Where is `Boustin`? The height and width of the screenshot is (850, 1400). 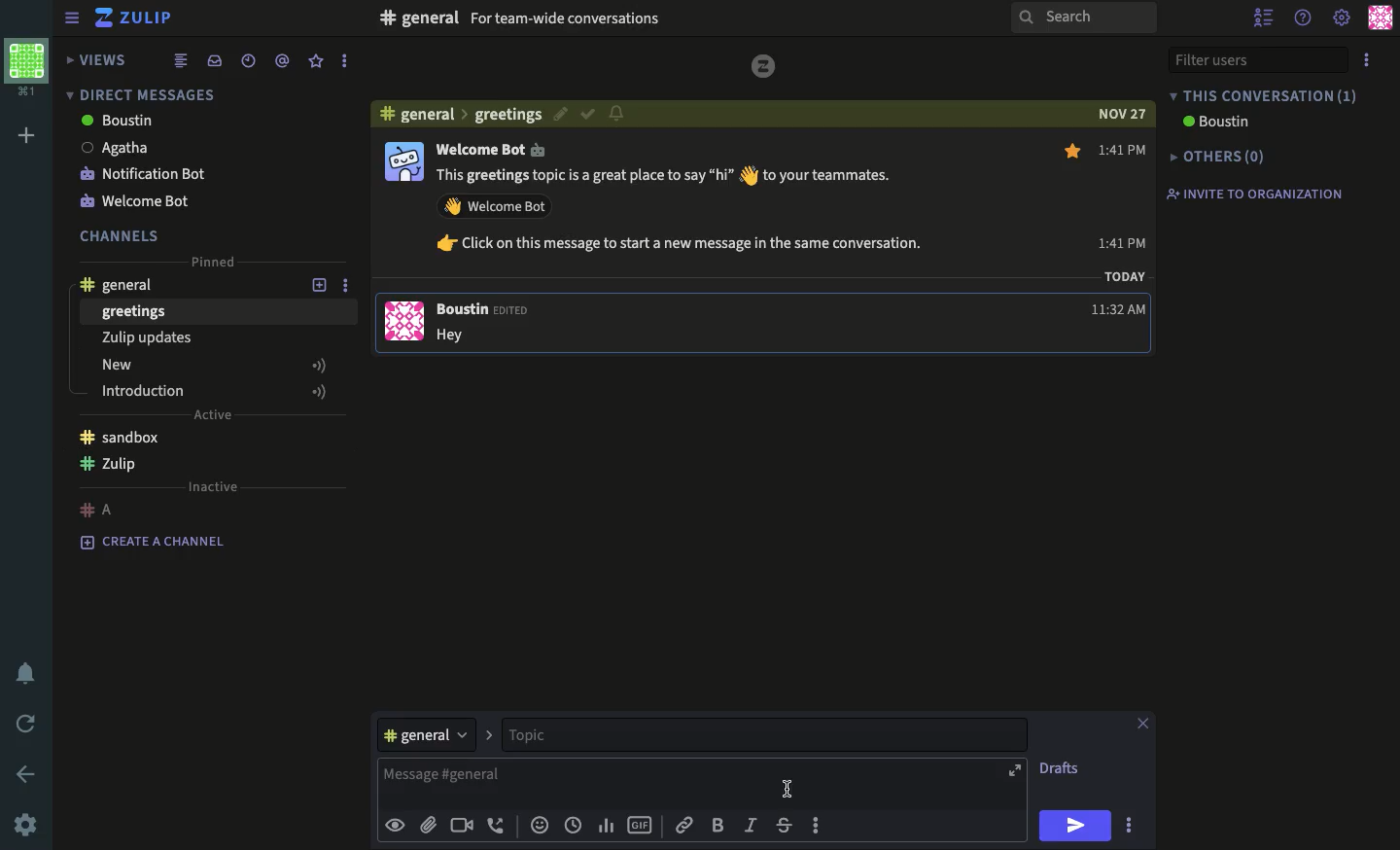
Boustin is located at coordinates (487, 311).